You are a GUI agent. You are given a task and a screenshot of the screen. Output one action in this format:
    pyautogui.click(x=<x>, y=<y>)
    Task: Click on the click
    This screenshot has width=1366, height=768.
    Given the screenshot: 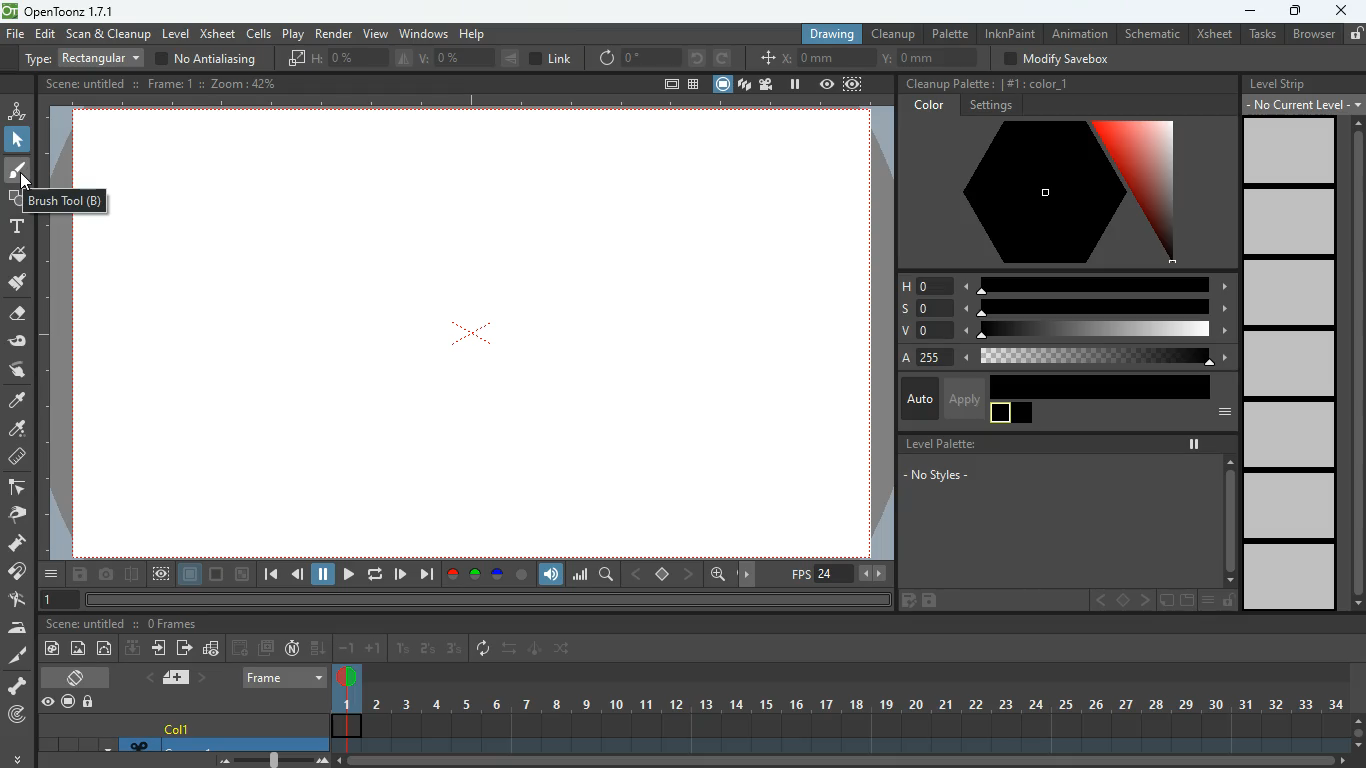 What is the action you would take?
    pyautogui.click(x=19, y=140)
    